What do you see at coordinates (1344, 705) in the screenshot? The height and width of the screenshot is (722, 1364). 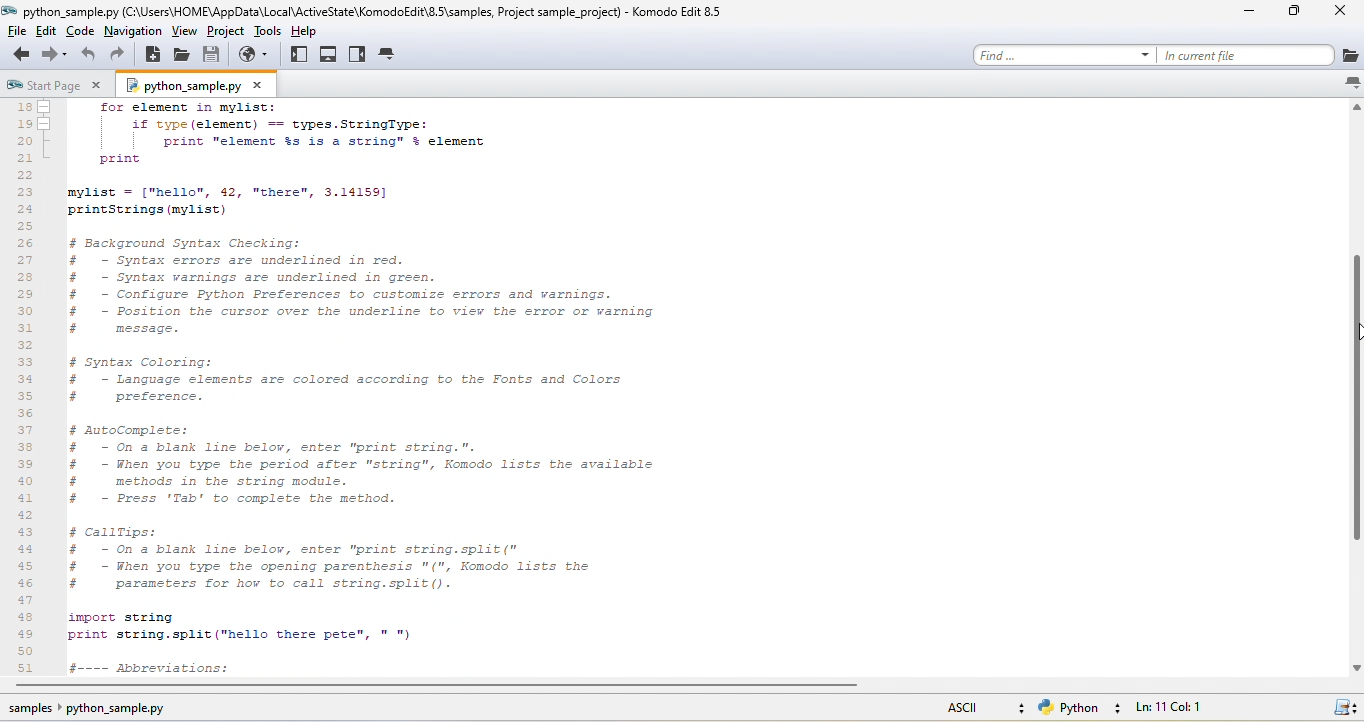 I see `syntax checking` at bounding box center [1344, 705].